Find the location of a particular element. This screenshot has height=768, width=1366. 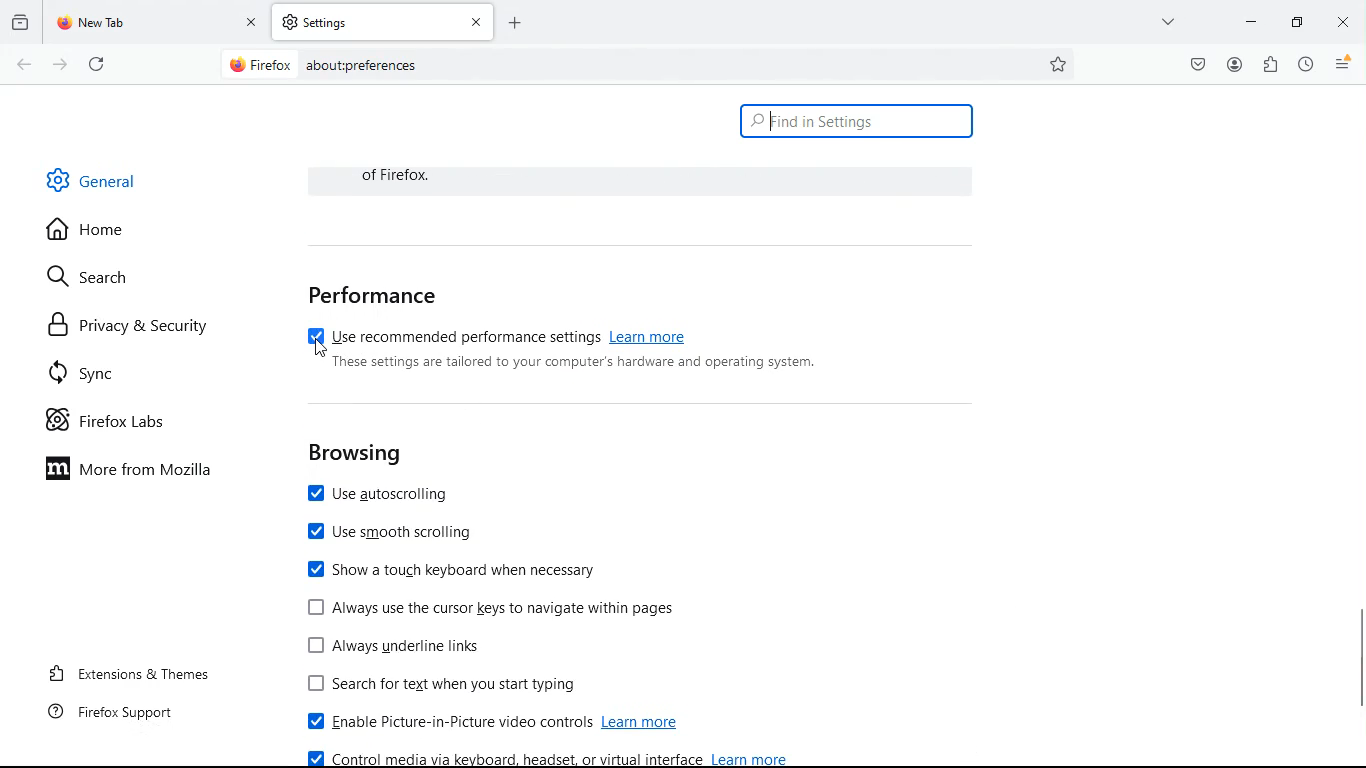

Vertical scroll bar is located at coordinates (1356, 657).